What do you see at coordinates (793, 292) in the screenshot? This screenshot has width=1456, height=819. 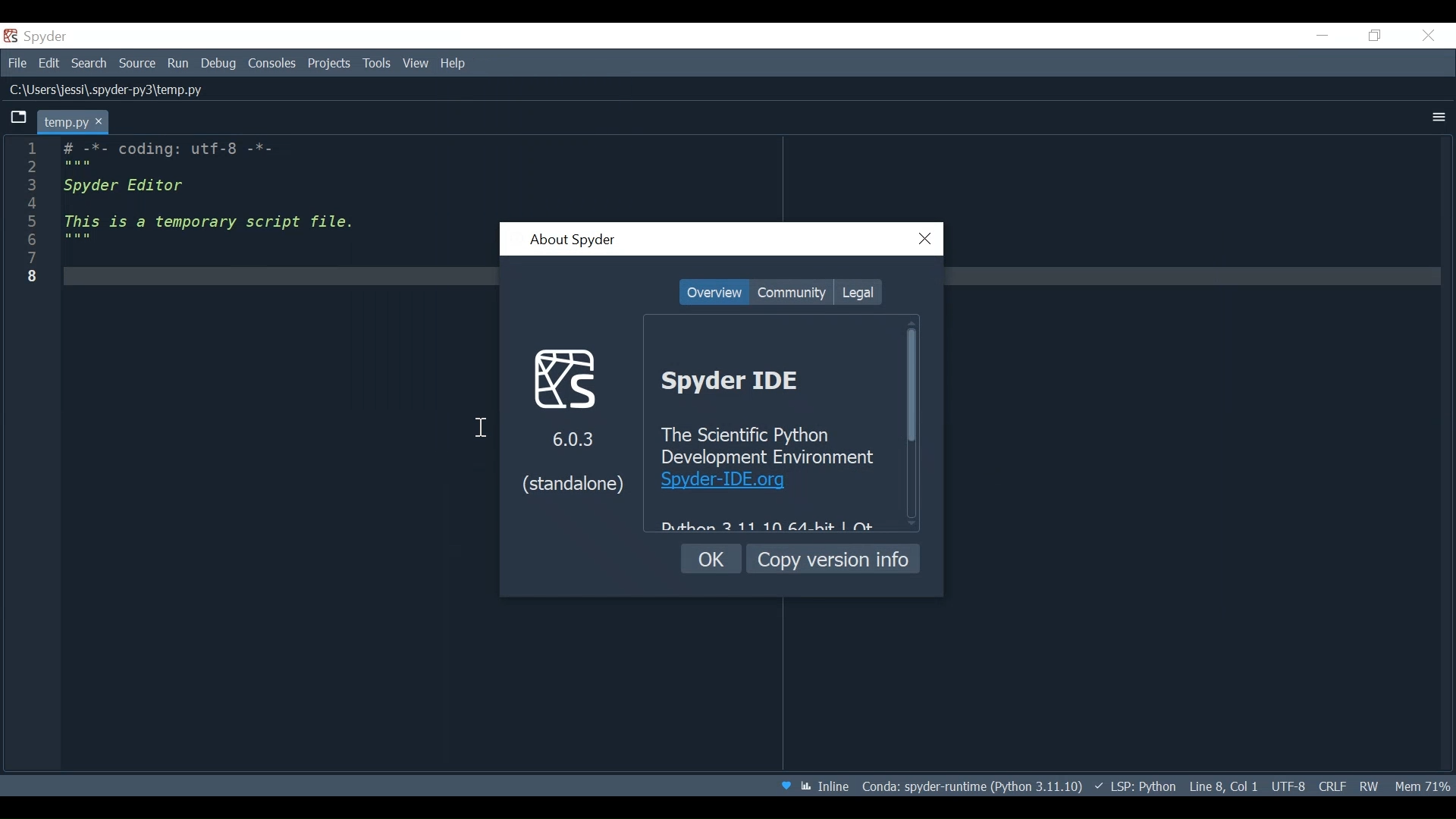 I see `Community` at bounding box center [793, 292].